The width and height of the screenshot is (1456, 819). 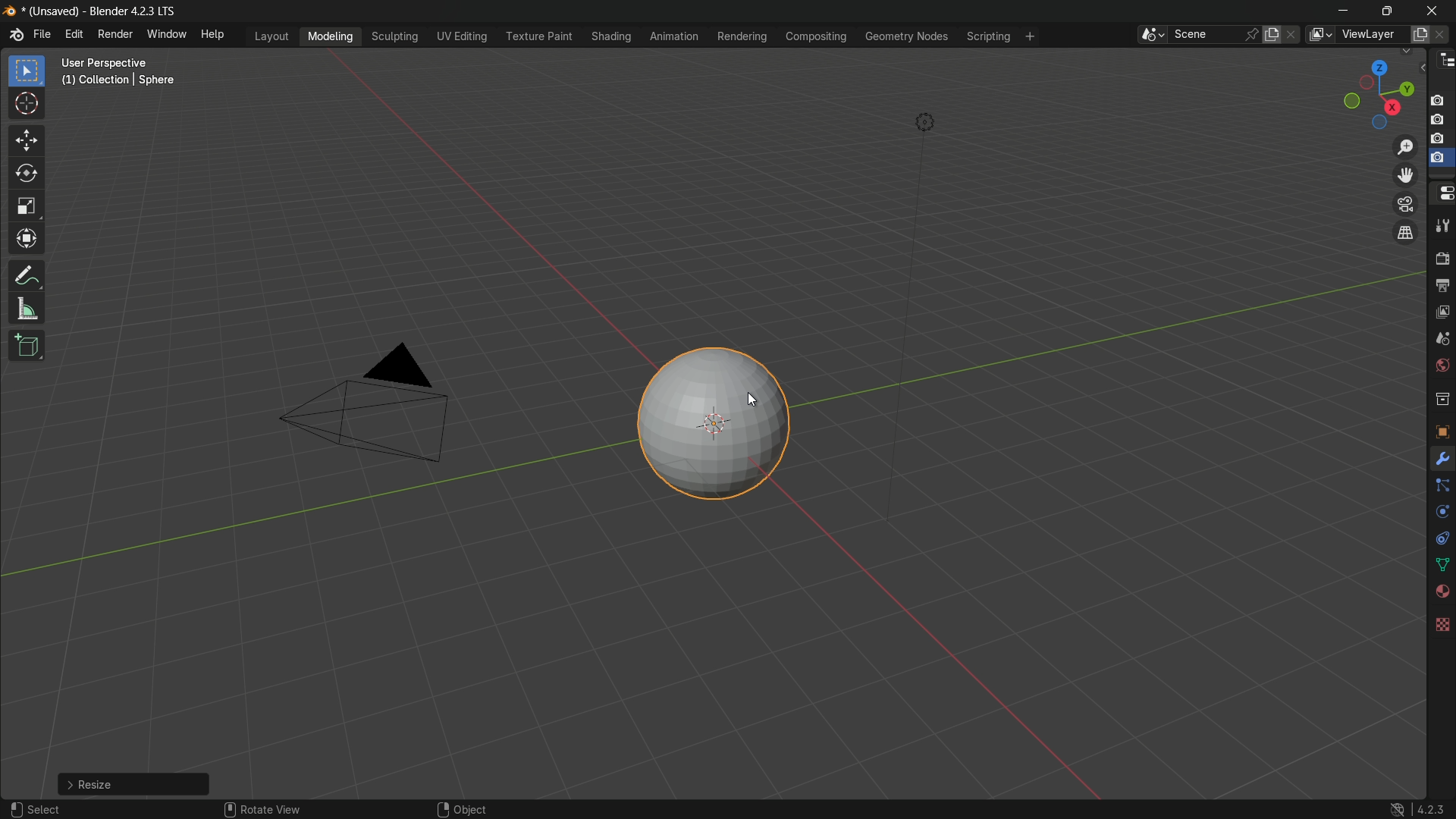 I want to click on scene name, so click(x=1207, y=35).